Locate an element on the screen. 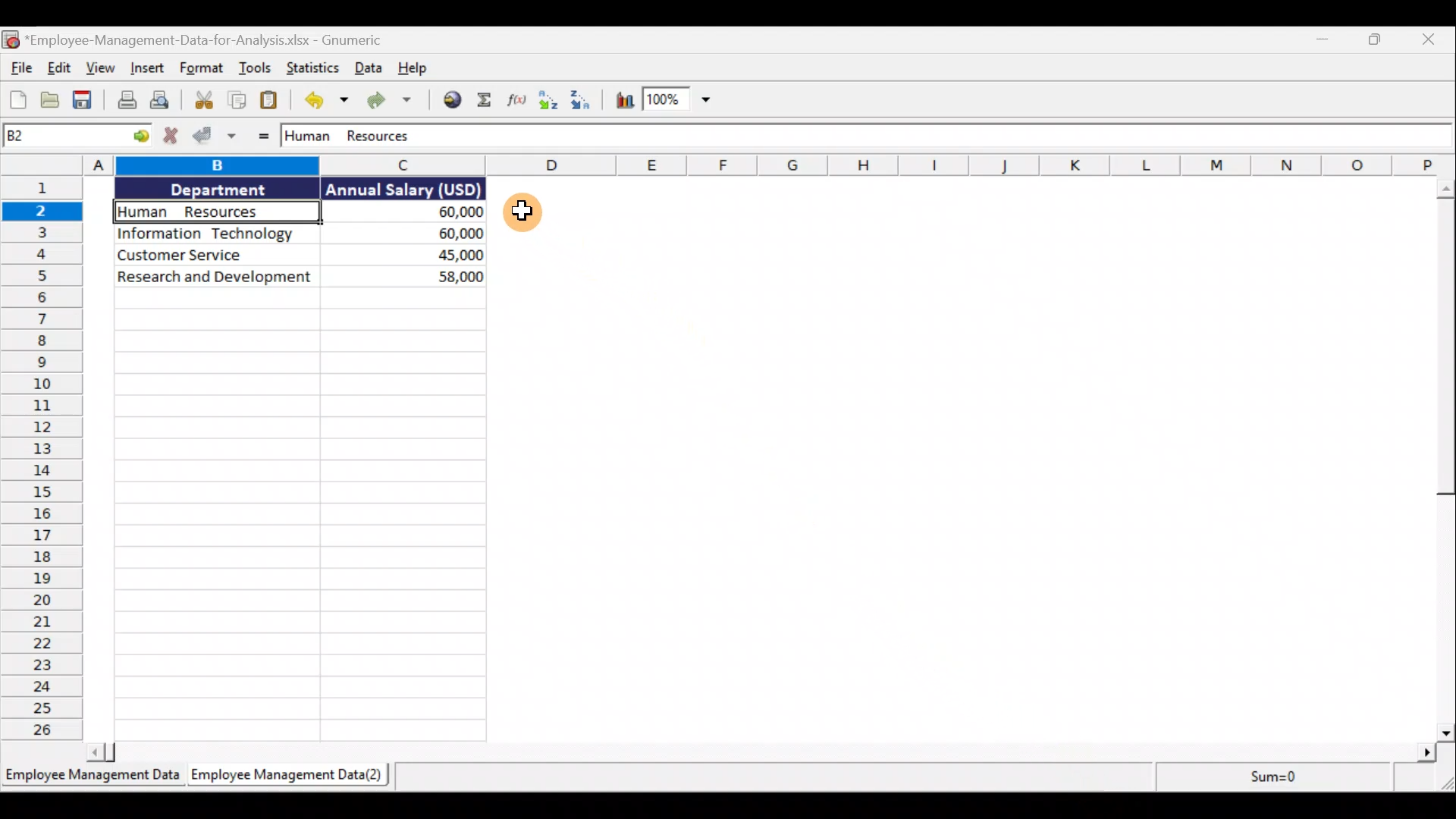 This screenshot has width=1456, height=819. Undo the last action is located at coordinates (328, 102).